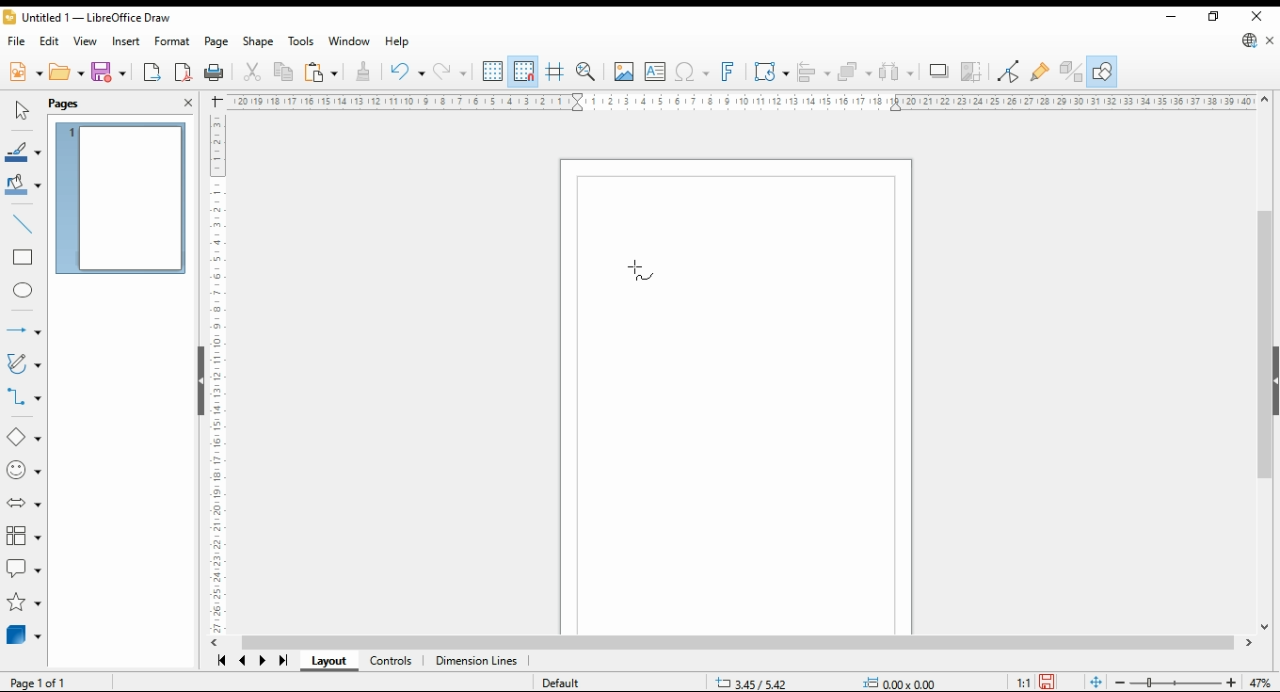 The image size is (1280, 692). What do you see at coordinates (214, 373) in the screenshot?
I see `ruler` at bounding box center [214, 373].